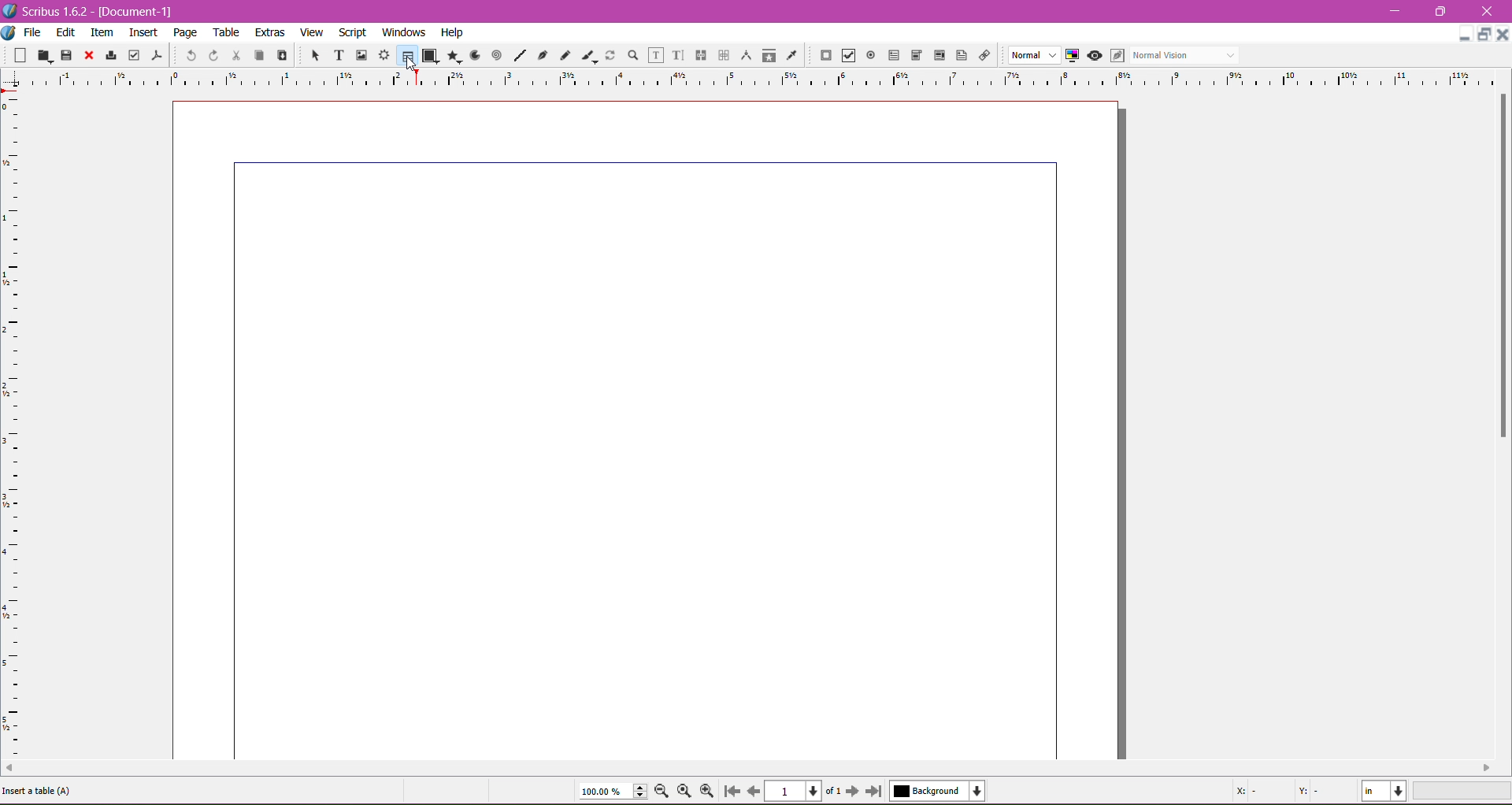 Image resolution: width=1512 pixels, height=805 pixels. What do you see at coordinates (868, 57) in the screenshot?
I see `PDF Radio Button` at bounding box center [868, 57].